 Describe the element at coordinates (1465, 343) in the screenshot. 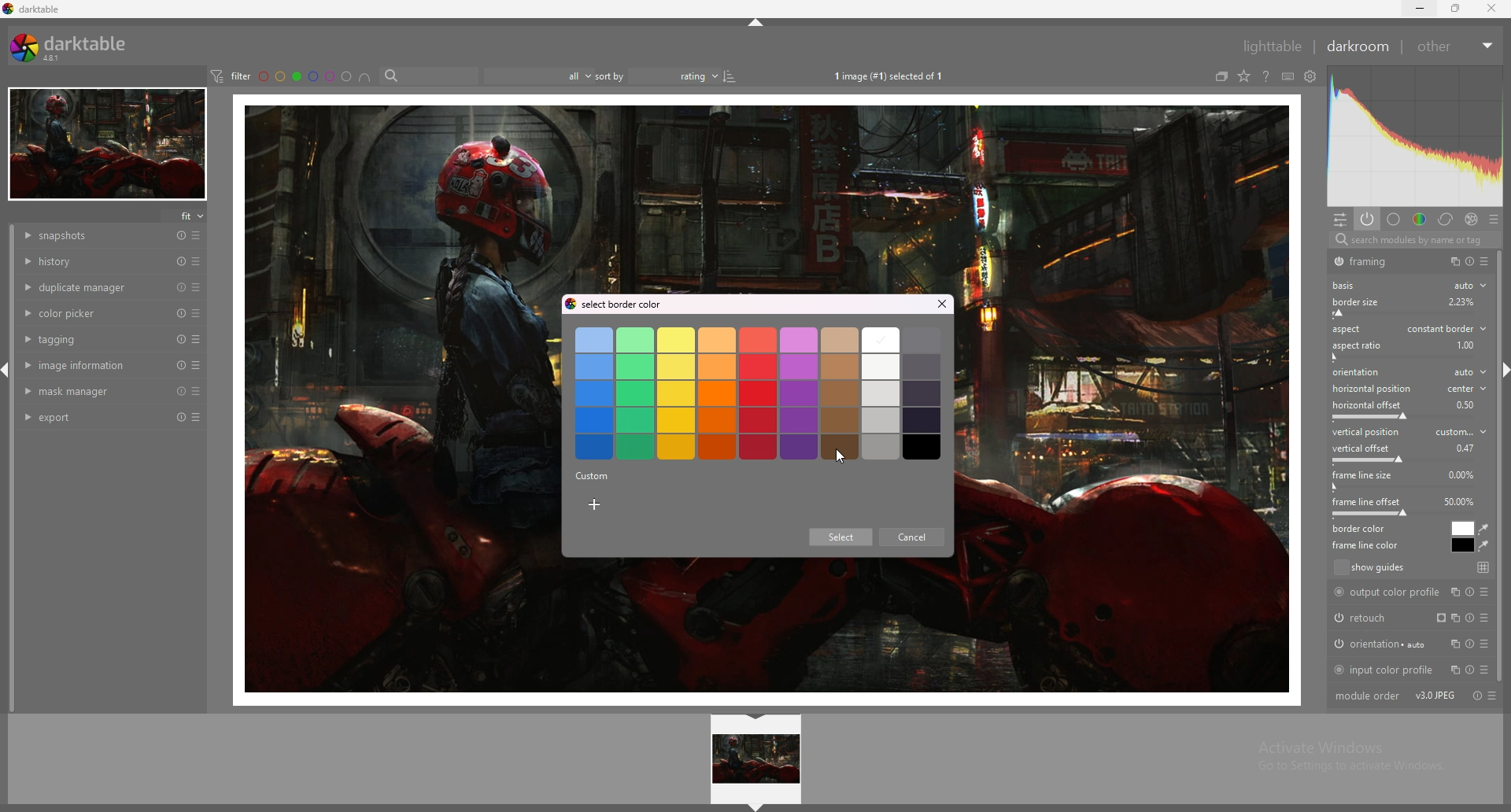

I see `percentage` at that location.